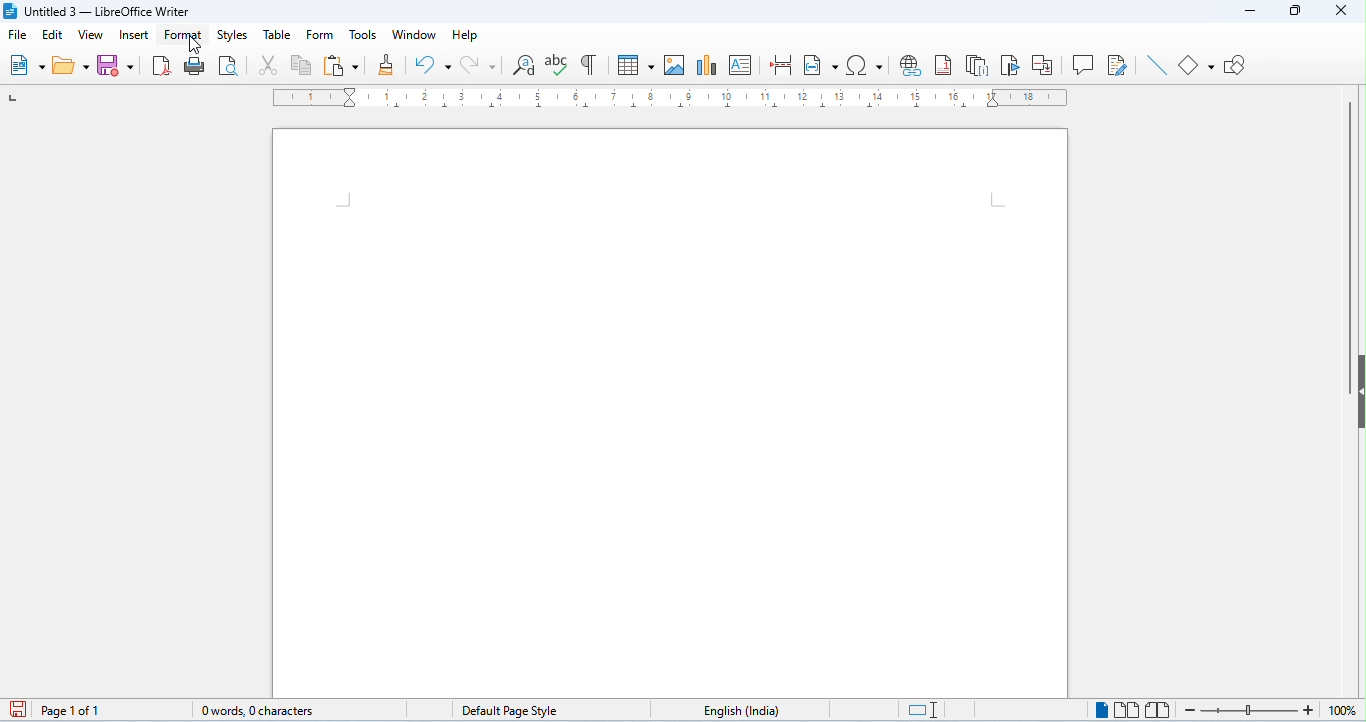  I want to click on ruler, so click(670, 99).